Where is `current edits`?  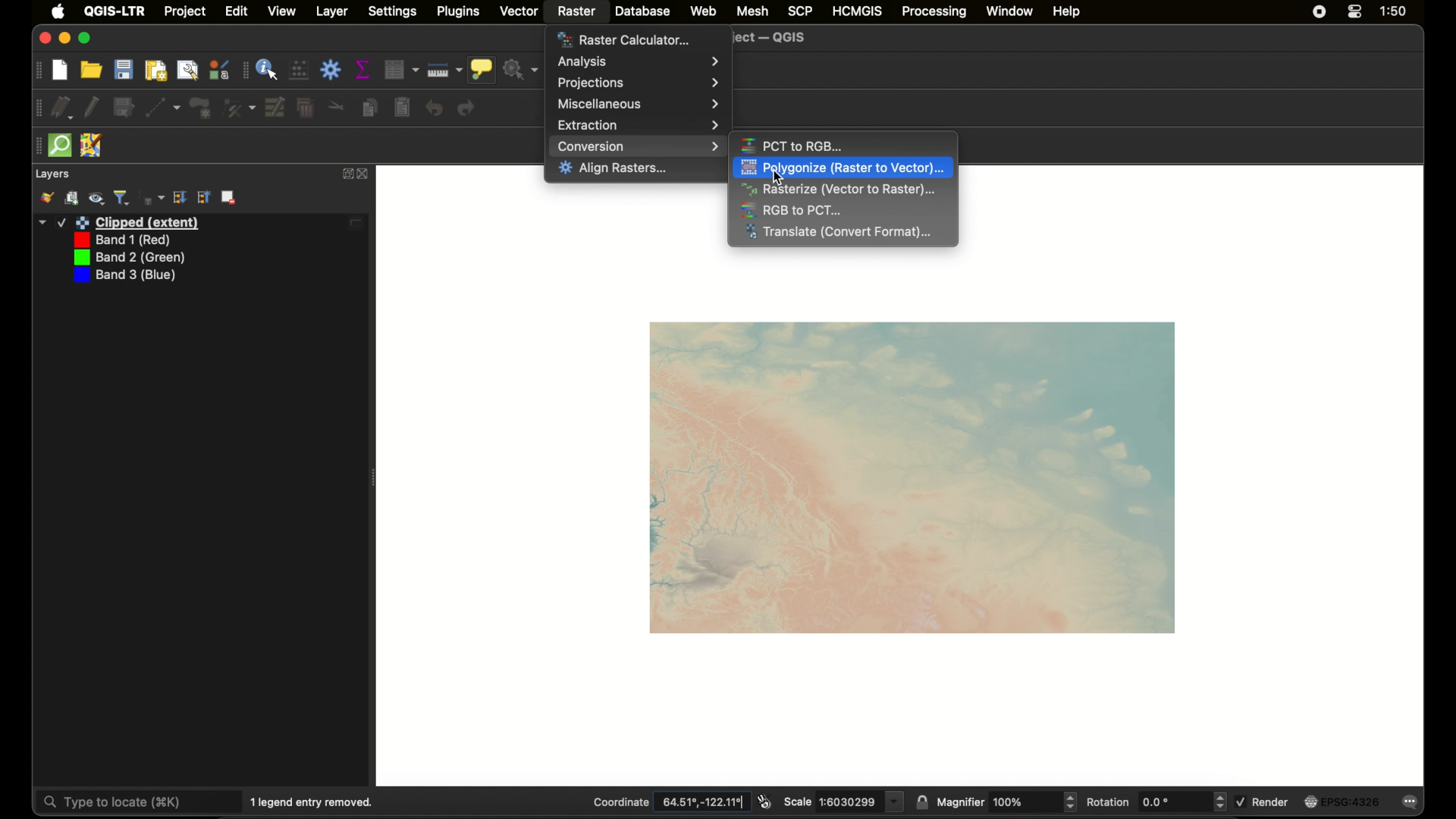 current edits is located at coordinates (63, 108).